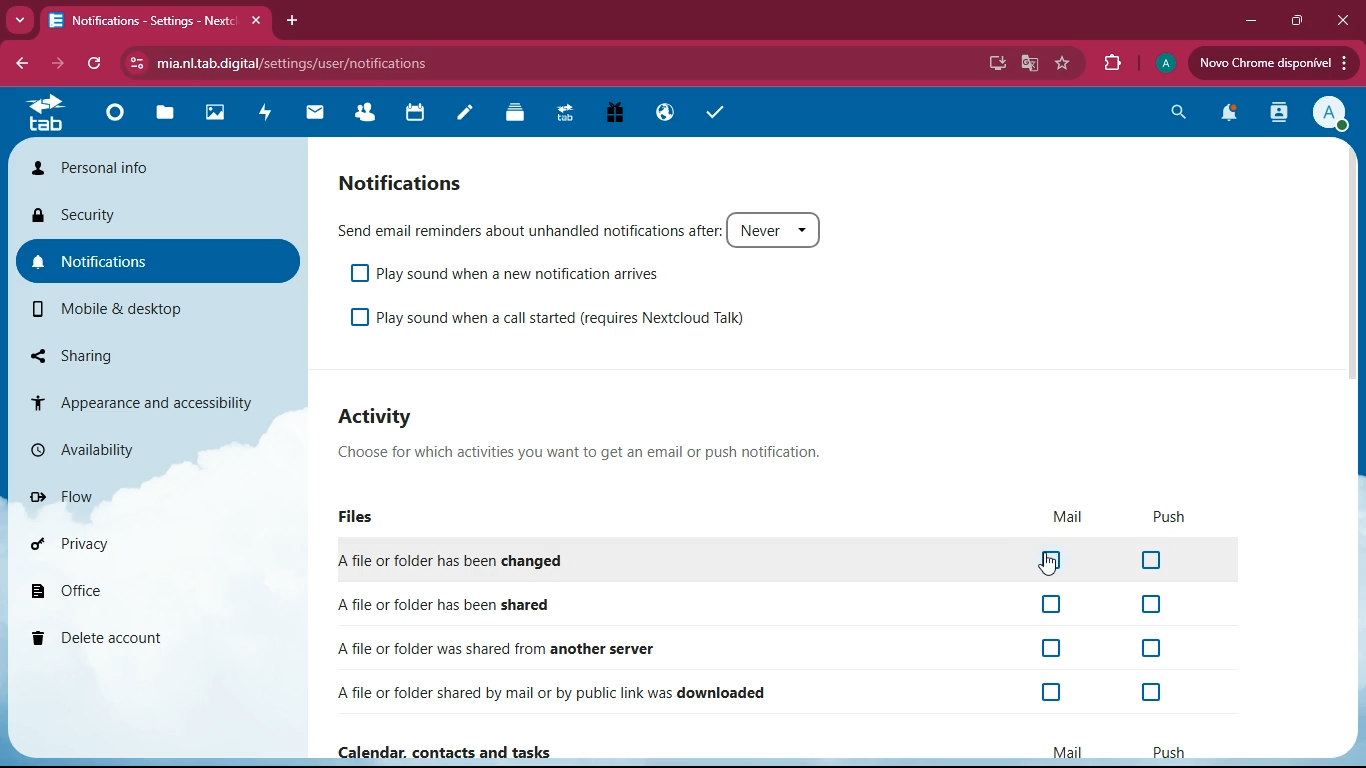  Describe the element at coordinates (265, 115) in the screenshot. I see `activity` at that location.